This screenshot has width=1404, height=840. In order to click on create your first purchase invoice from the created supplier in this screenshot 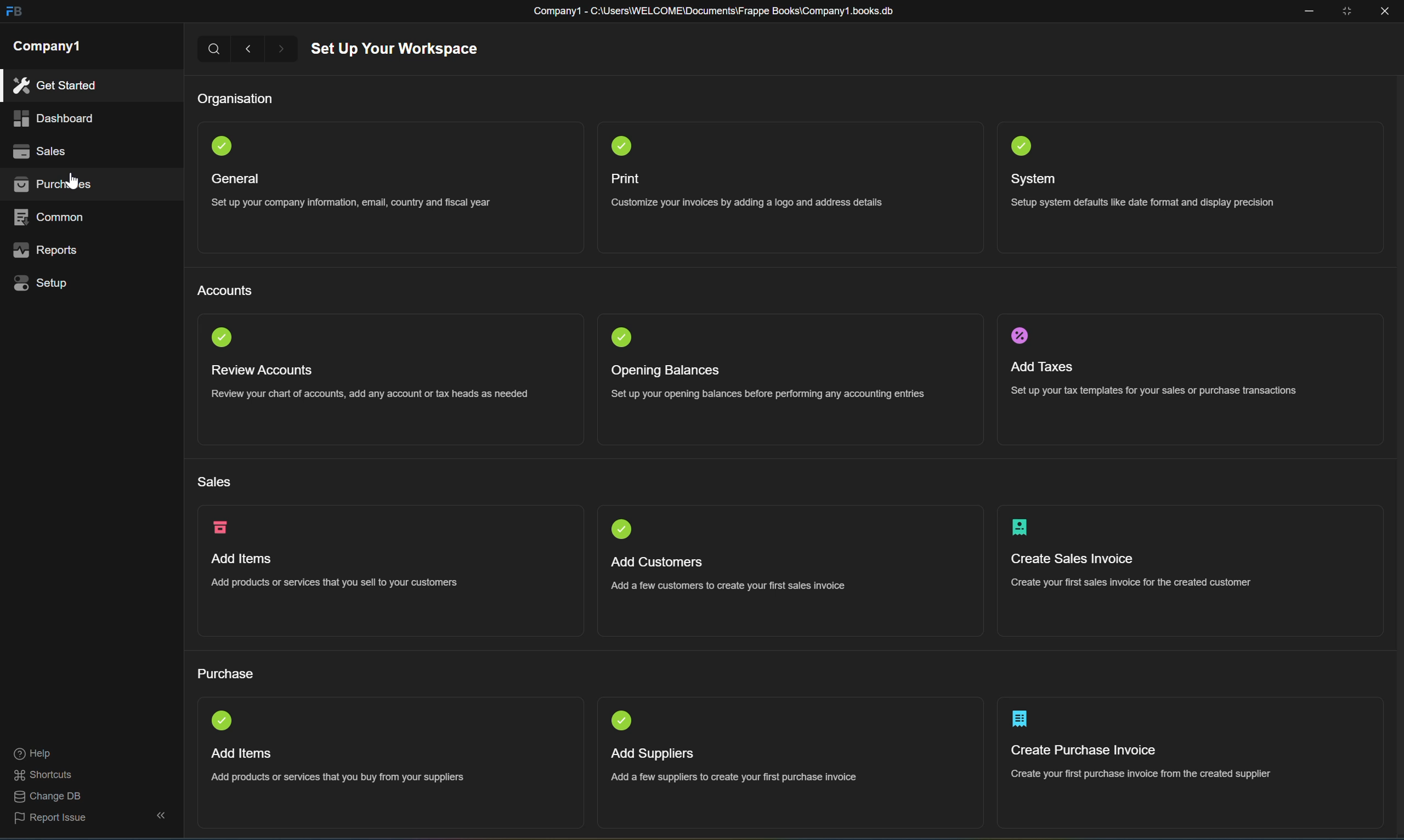, I will do `click(1143, 773)`.